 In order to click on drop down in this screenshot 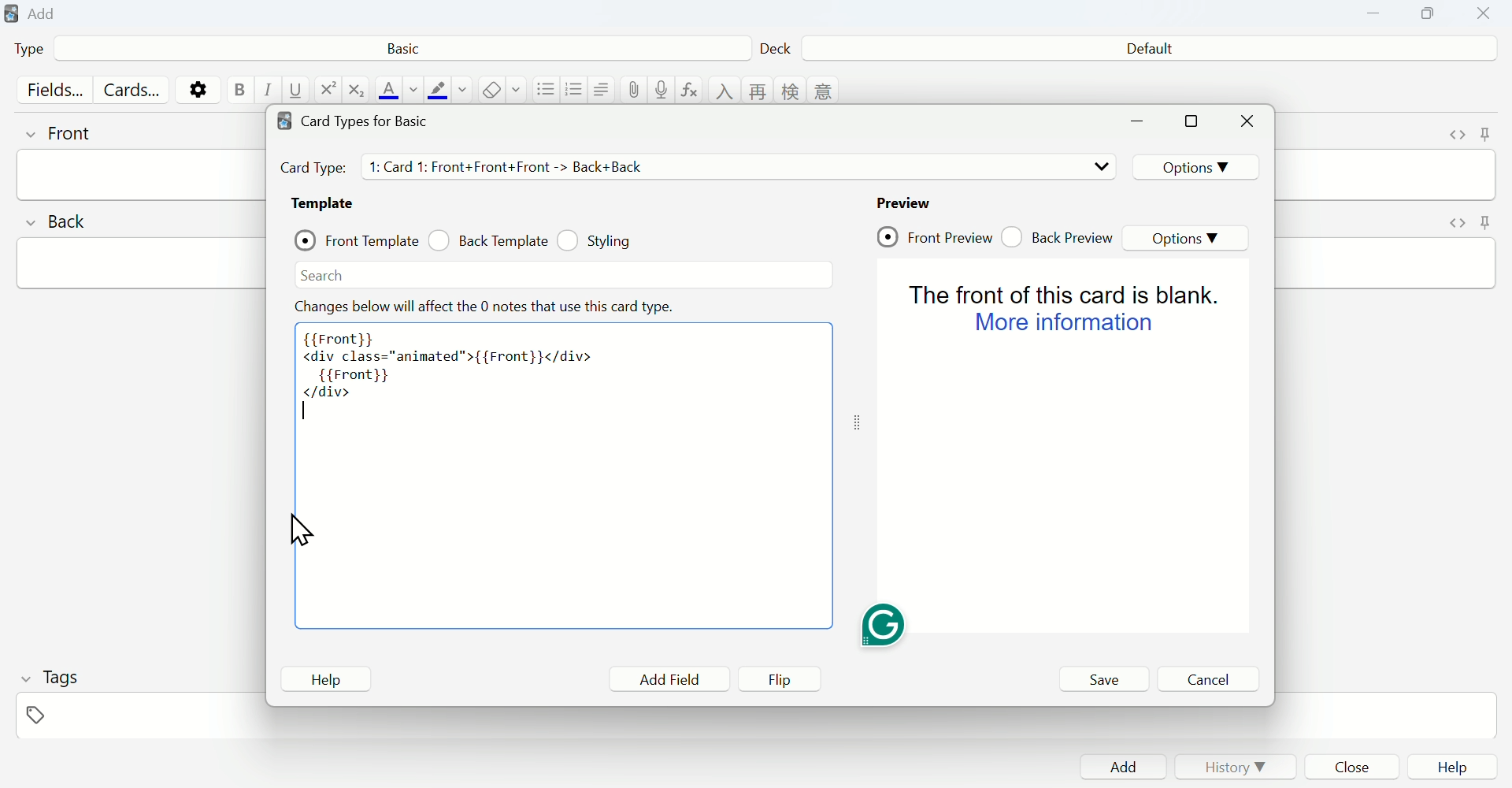, I will do `click(1102, 168)`.